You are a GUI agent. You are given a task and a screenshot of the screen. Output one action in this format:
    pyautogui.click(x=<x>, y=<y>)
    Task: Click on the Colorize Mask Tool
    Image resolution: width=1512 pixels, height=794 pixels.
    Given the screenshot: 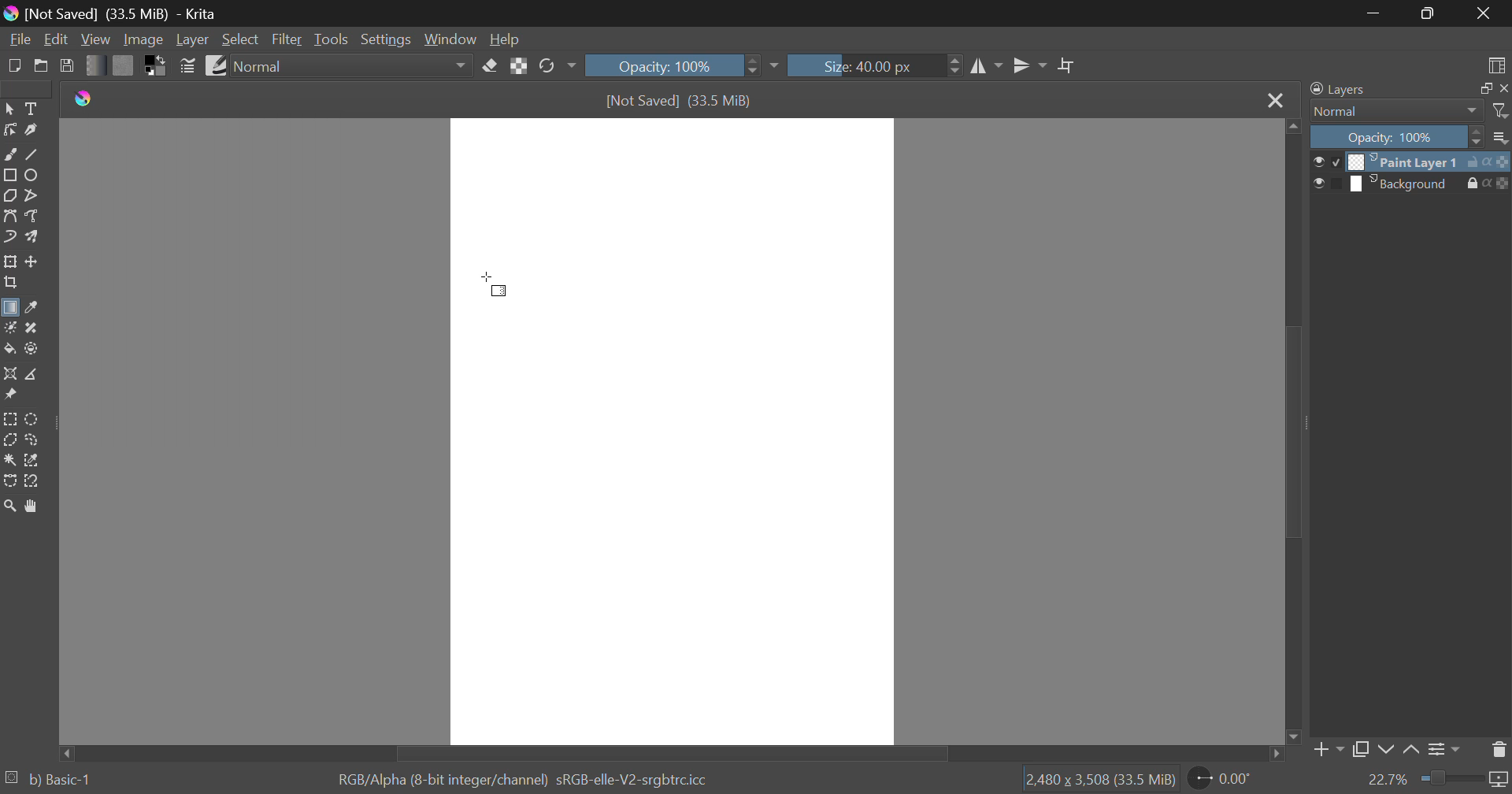 What is the action you would take?
    pyautogui.click(x=9, y=328)
    